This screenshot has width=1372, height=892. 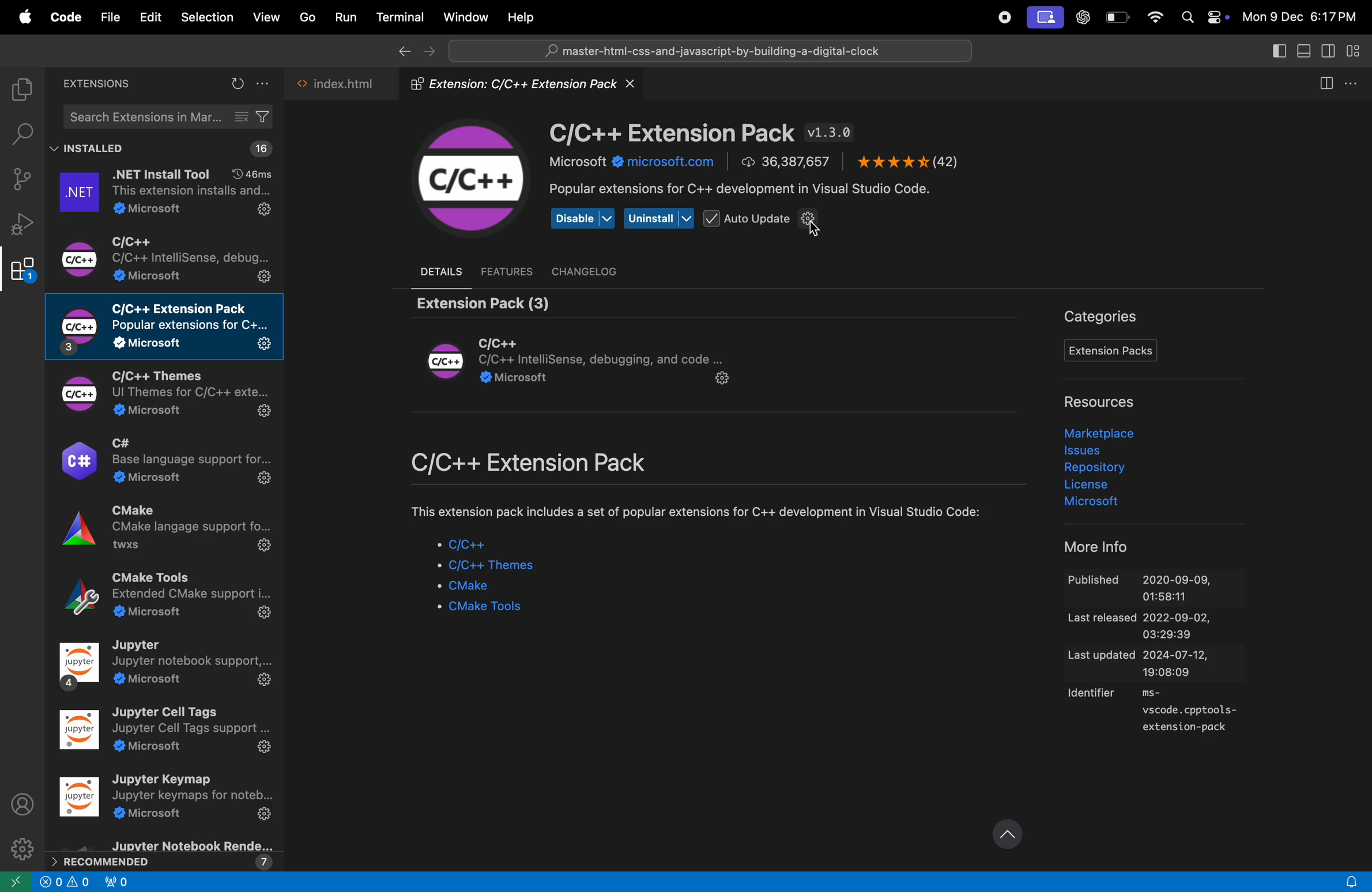 What do you see at coordinates (508, 271) in the screenshot?
I see `features` at bounding box center [508, 271].